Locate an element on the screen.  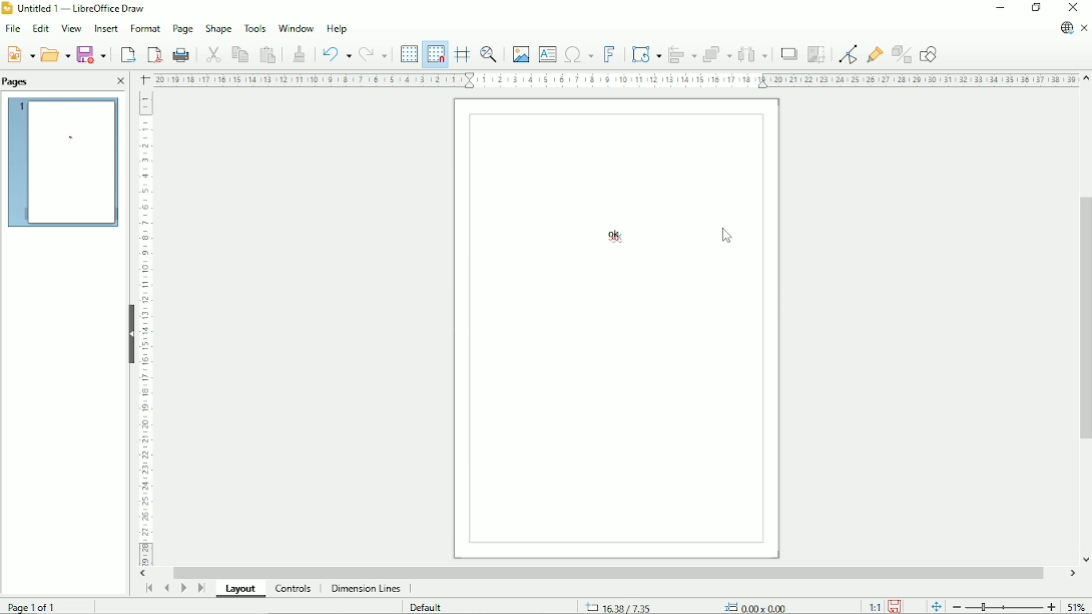
Restore down is located at coordinates (1036, 7).